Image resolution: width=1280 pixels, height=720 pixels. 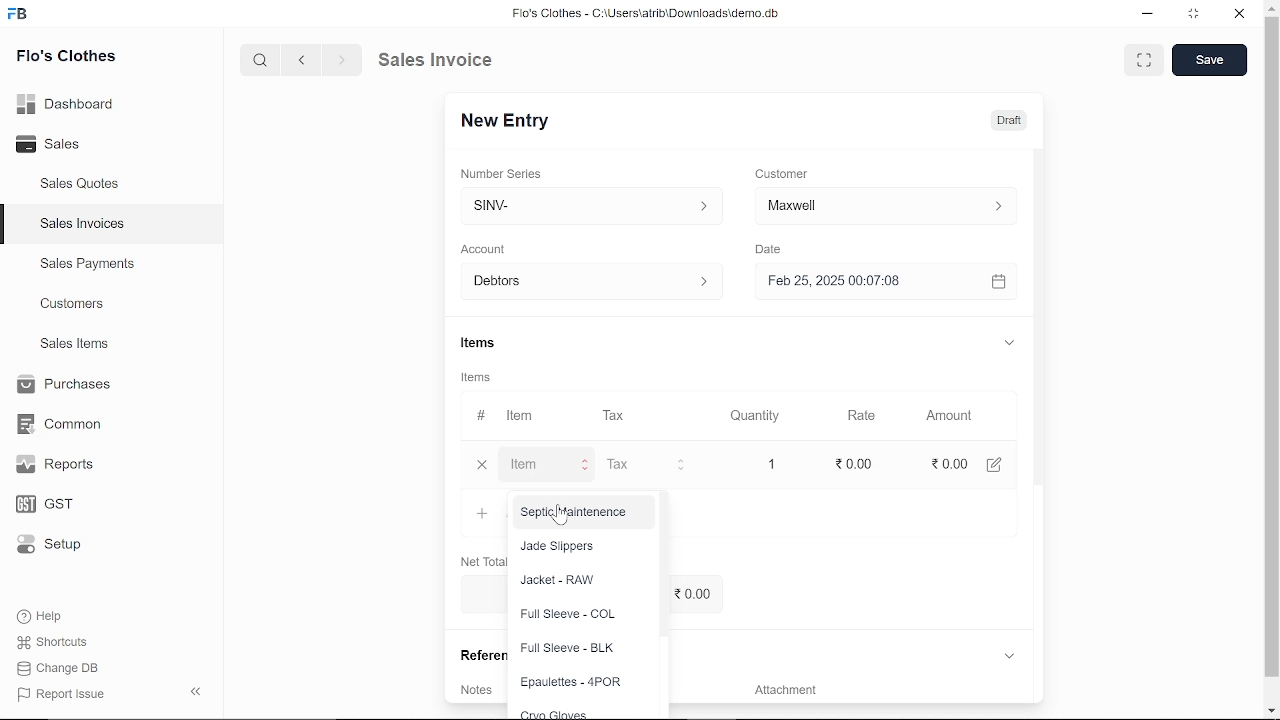 I want to click on Common, so click(x=62, y=424).